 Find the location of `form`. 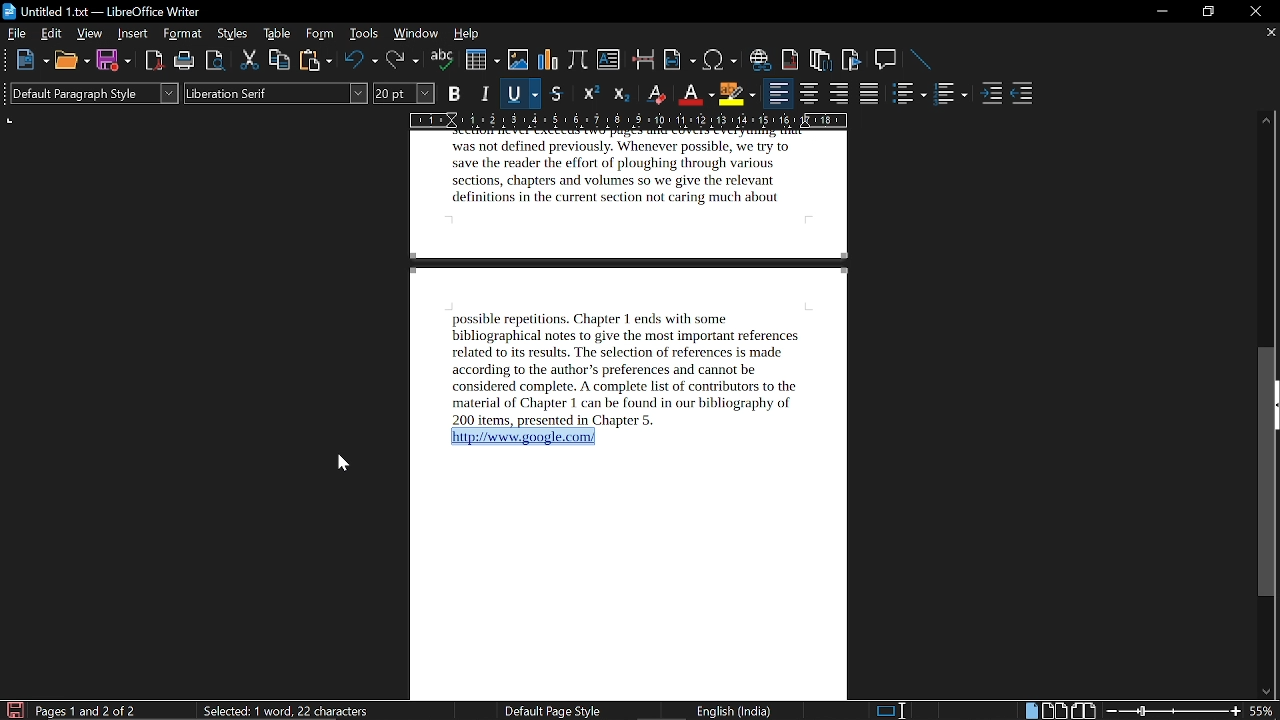

form is located at coordinates (321, 35).